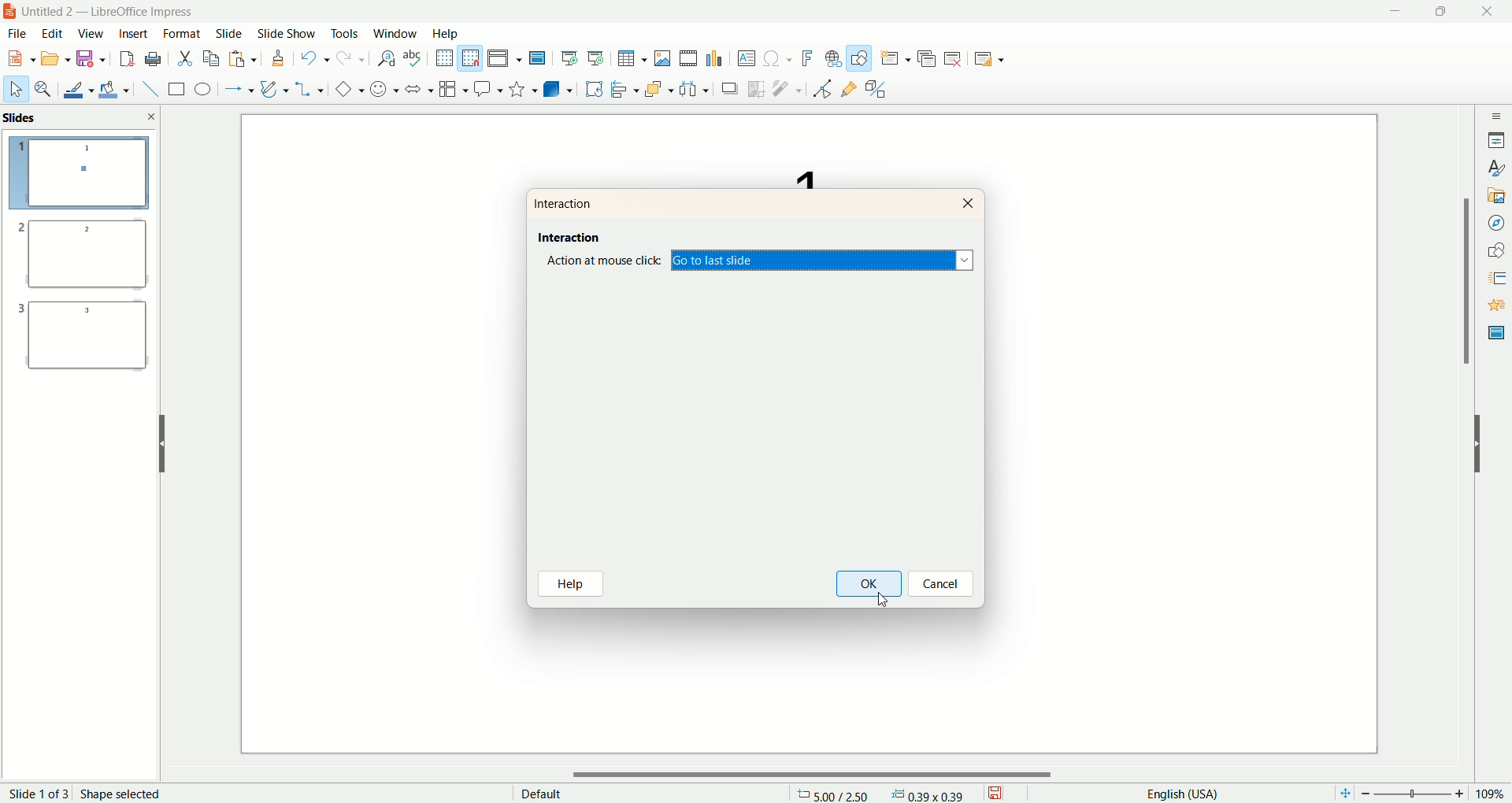  What do you see at coordinates (57, 60) in the screenshot?
I see `open` at bounding box center [57, 60].